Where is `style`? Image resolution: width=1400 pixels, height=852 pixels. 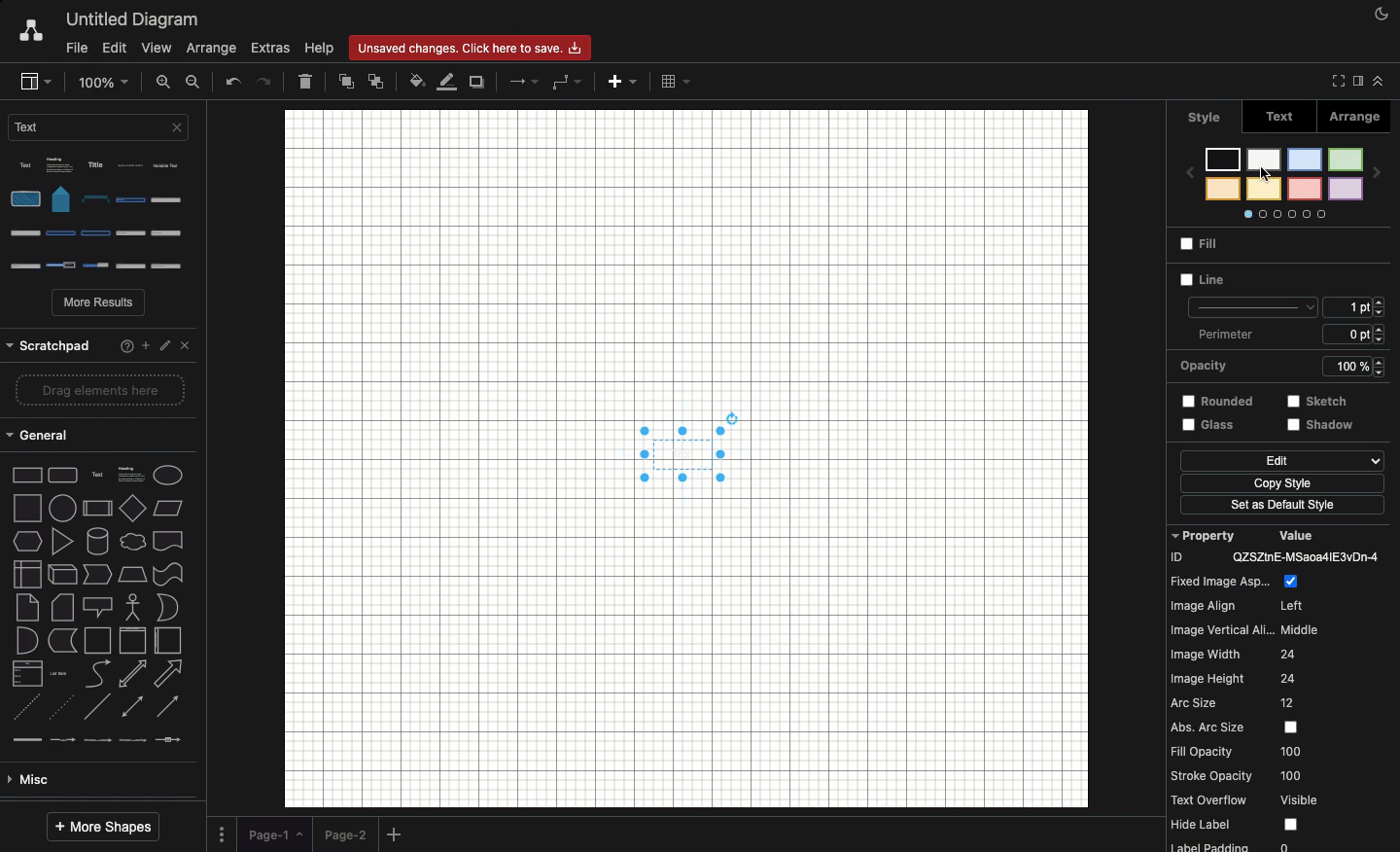
style is located at coordinates (1205, 116).